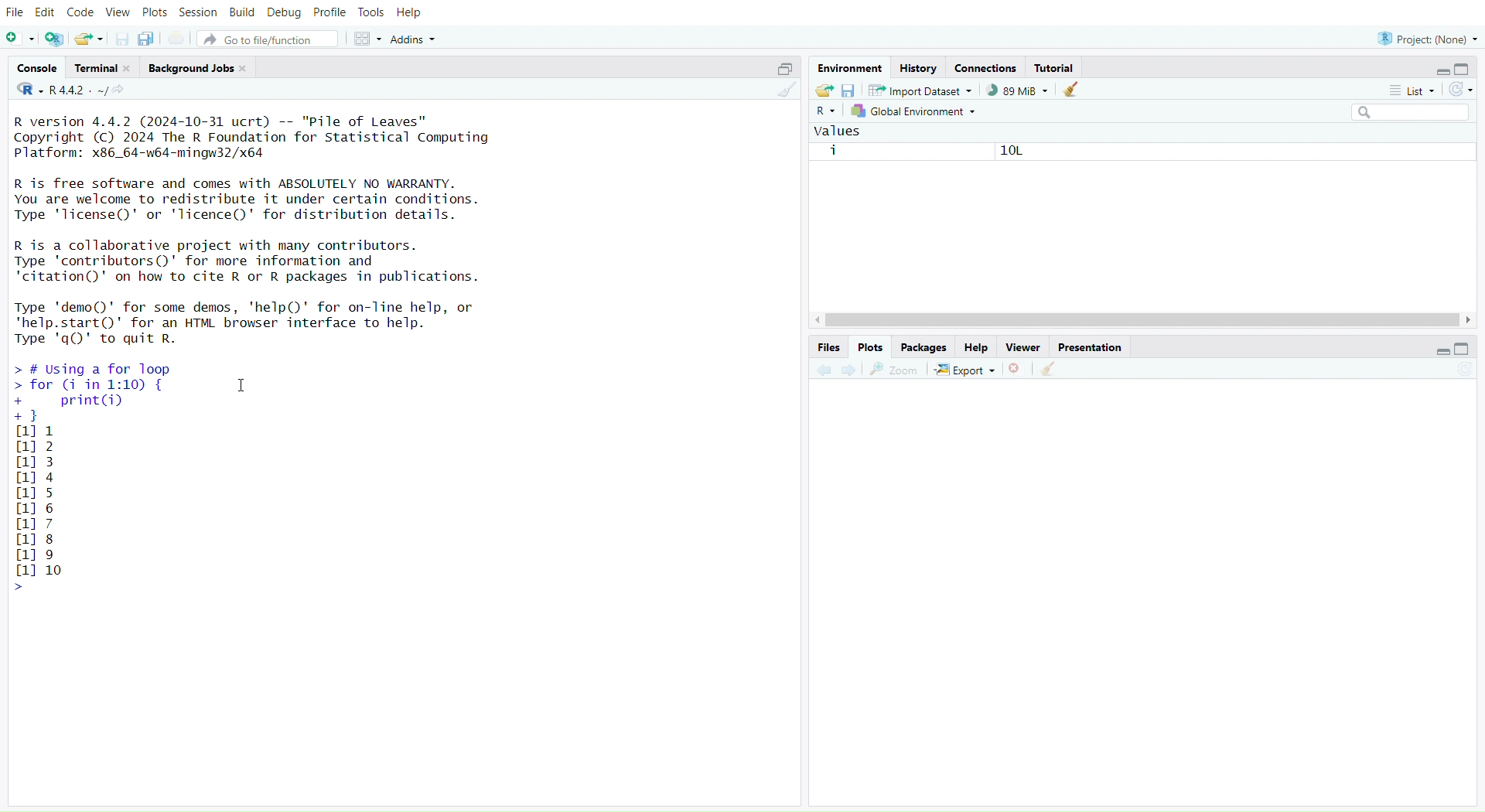 The height and width of the screenshot is (812, 1485). Describe the element at coordinates (408, 14) in the screenshot. I see `help` at that location.